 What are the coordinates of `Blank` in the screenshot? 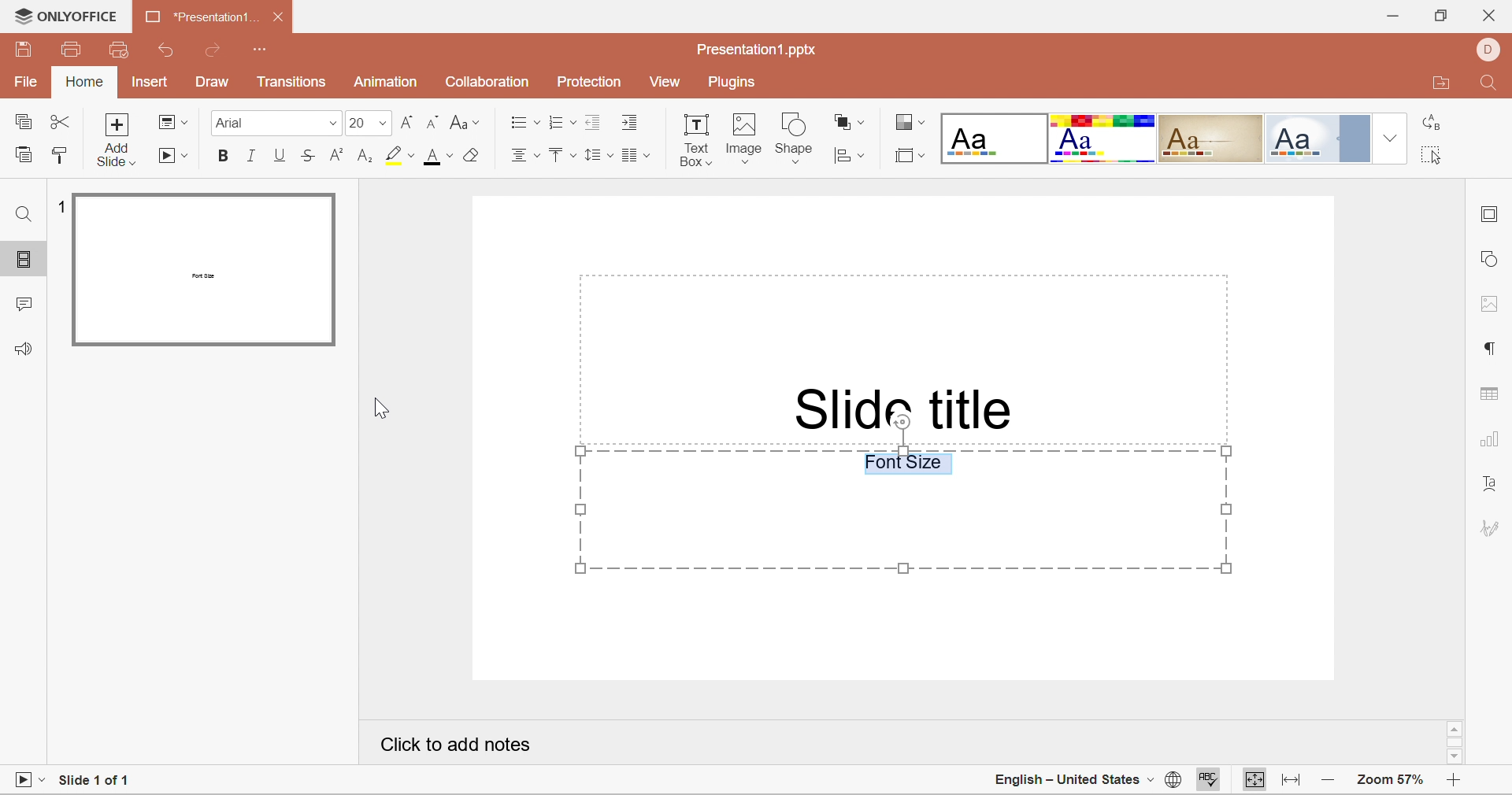 It's located at (993, 138).